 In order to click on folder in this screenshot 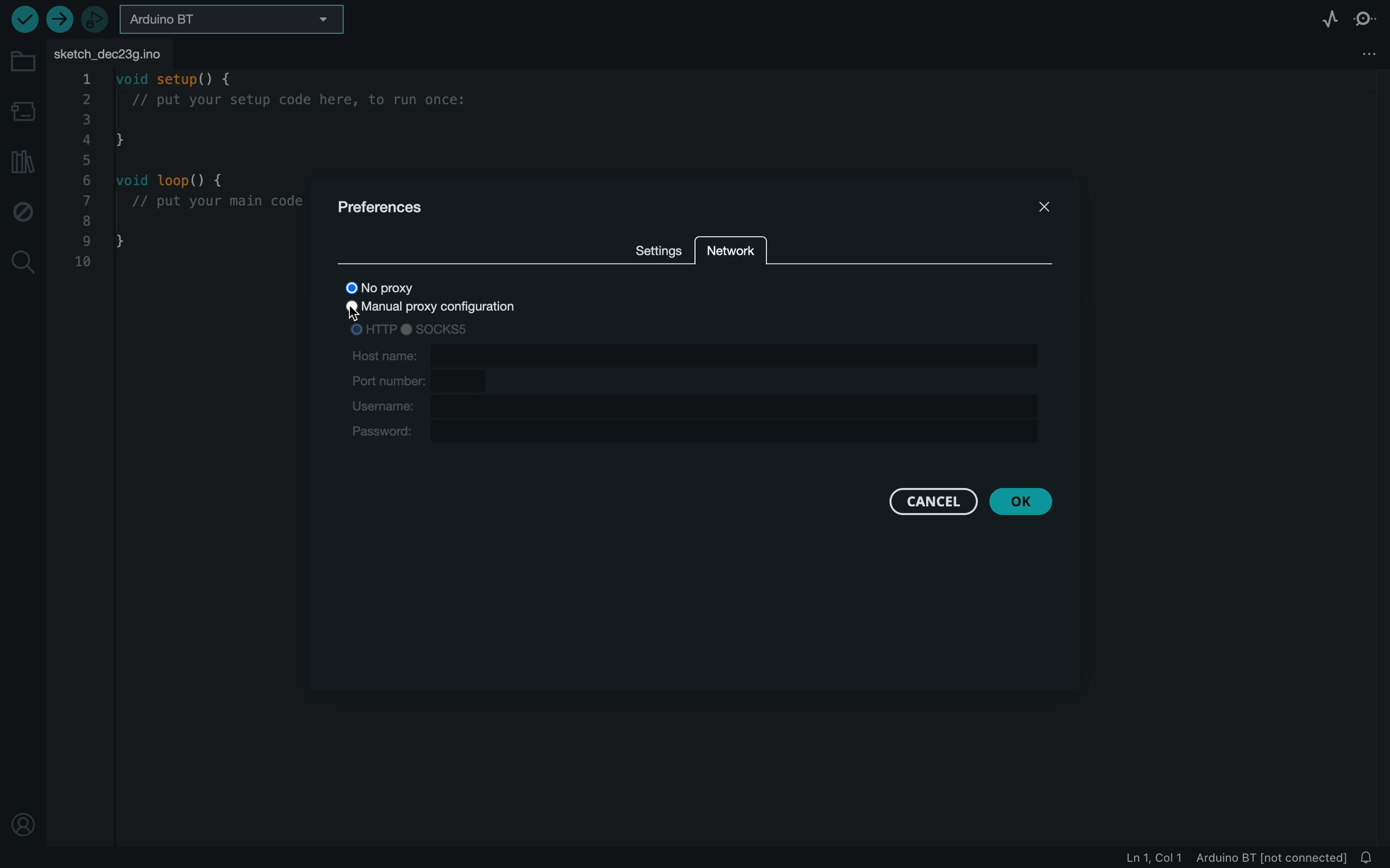, I will do `click(23, 61)`.